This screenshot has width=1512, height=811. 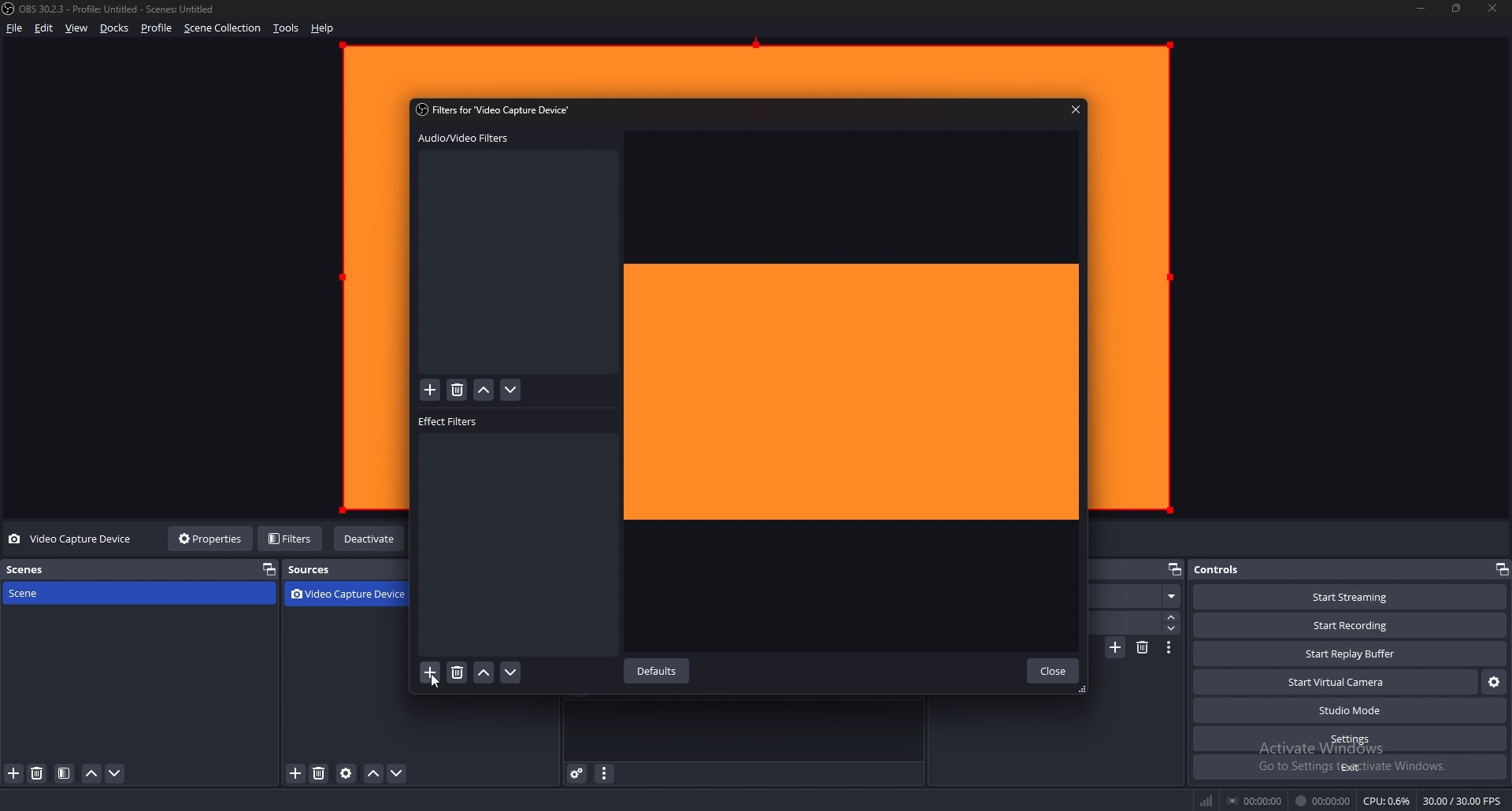 What do you see at coordinates (77, 28) in the screenshot?
I see `view` at bounding box center [77, 28].